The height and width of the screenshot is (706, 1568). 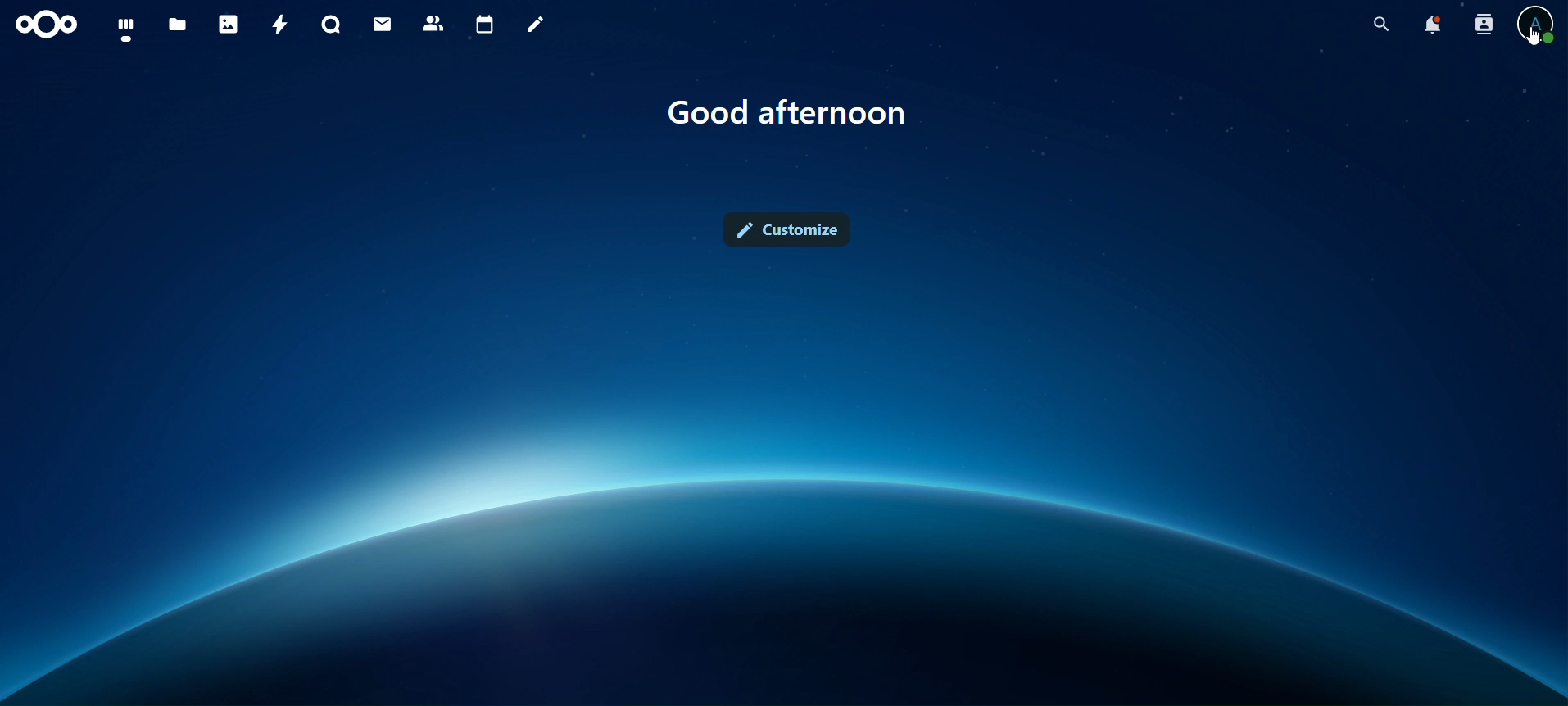 I want to click on notifications, so click(x=1433, y=25).